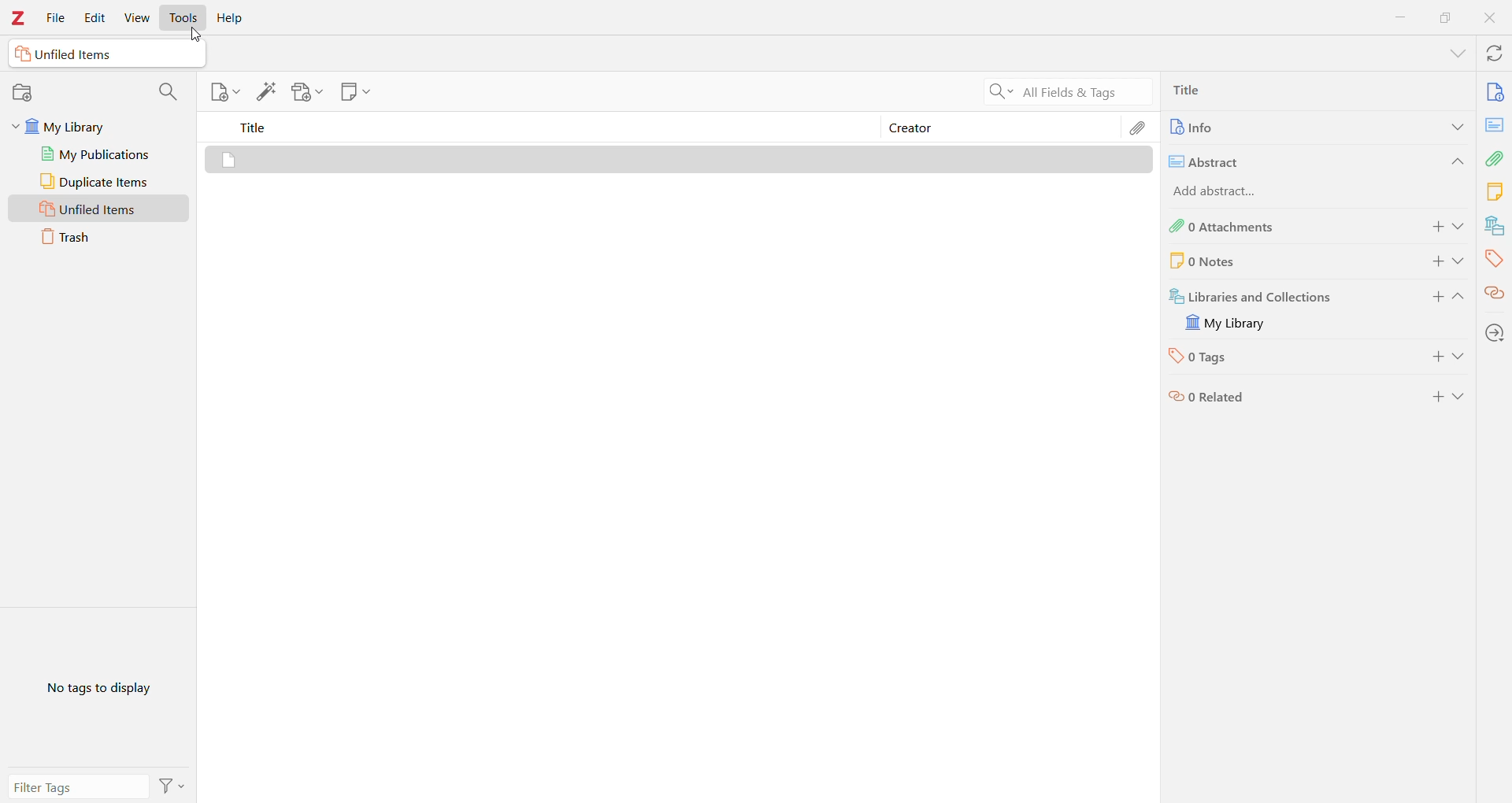  Describe the element at coordinates (998, 130) in the screenshot. I see `Creator` at that location.